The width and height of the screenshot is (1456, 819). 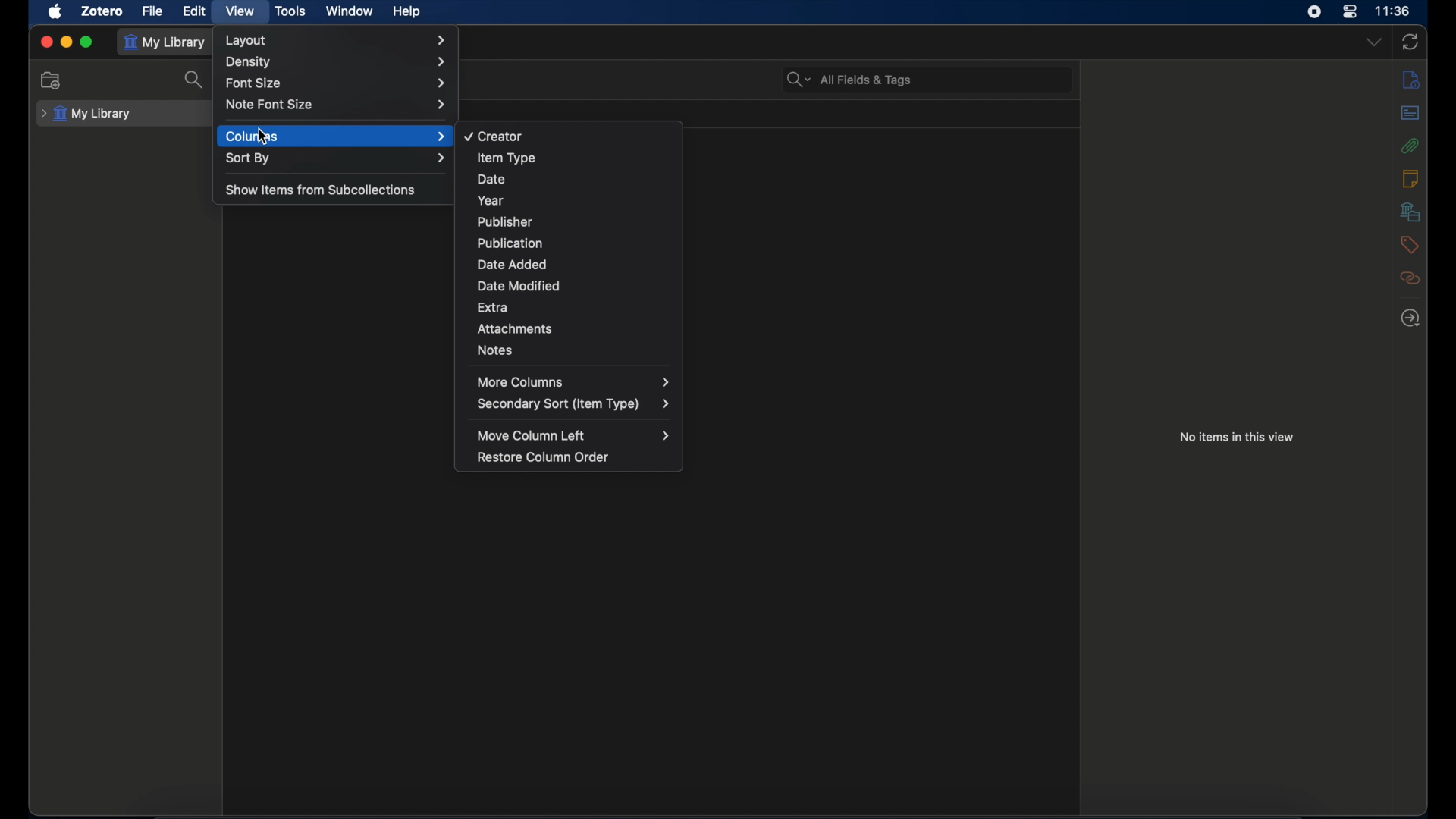 What do you see at coordinates (1375, 42) in the screenshot?
I see `dropdown` at bounding box center [1375, 42].